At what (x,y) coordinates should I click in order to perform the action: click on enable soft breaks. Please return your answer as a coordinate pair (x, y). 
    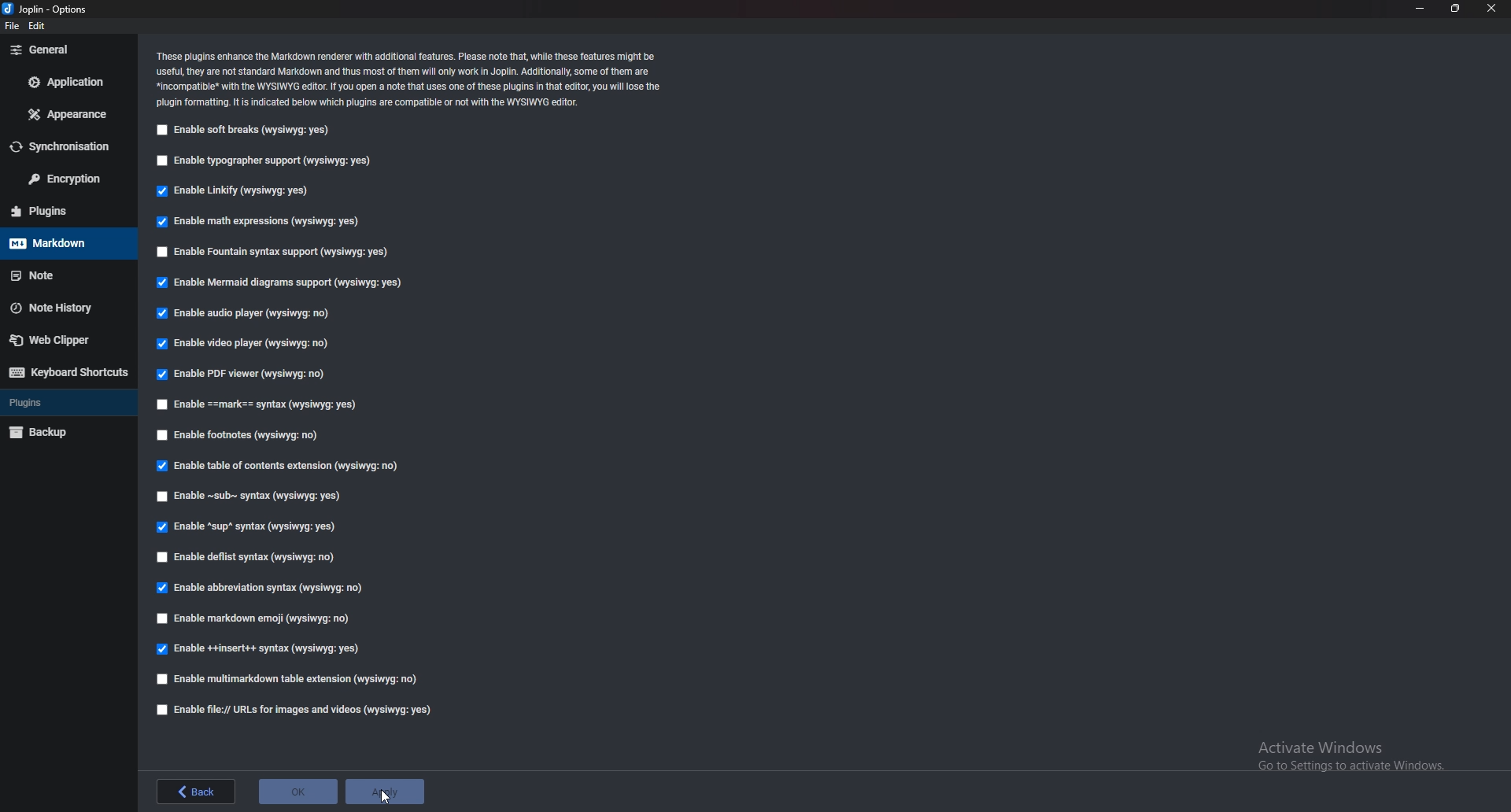
    Looking at the image, I should click on (244, 131).